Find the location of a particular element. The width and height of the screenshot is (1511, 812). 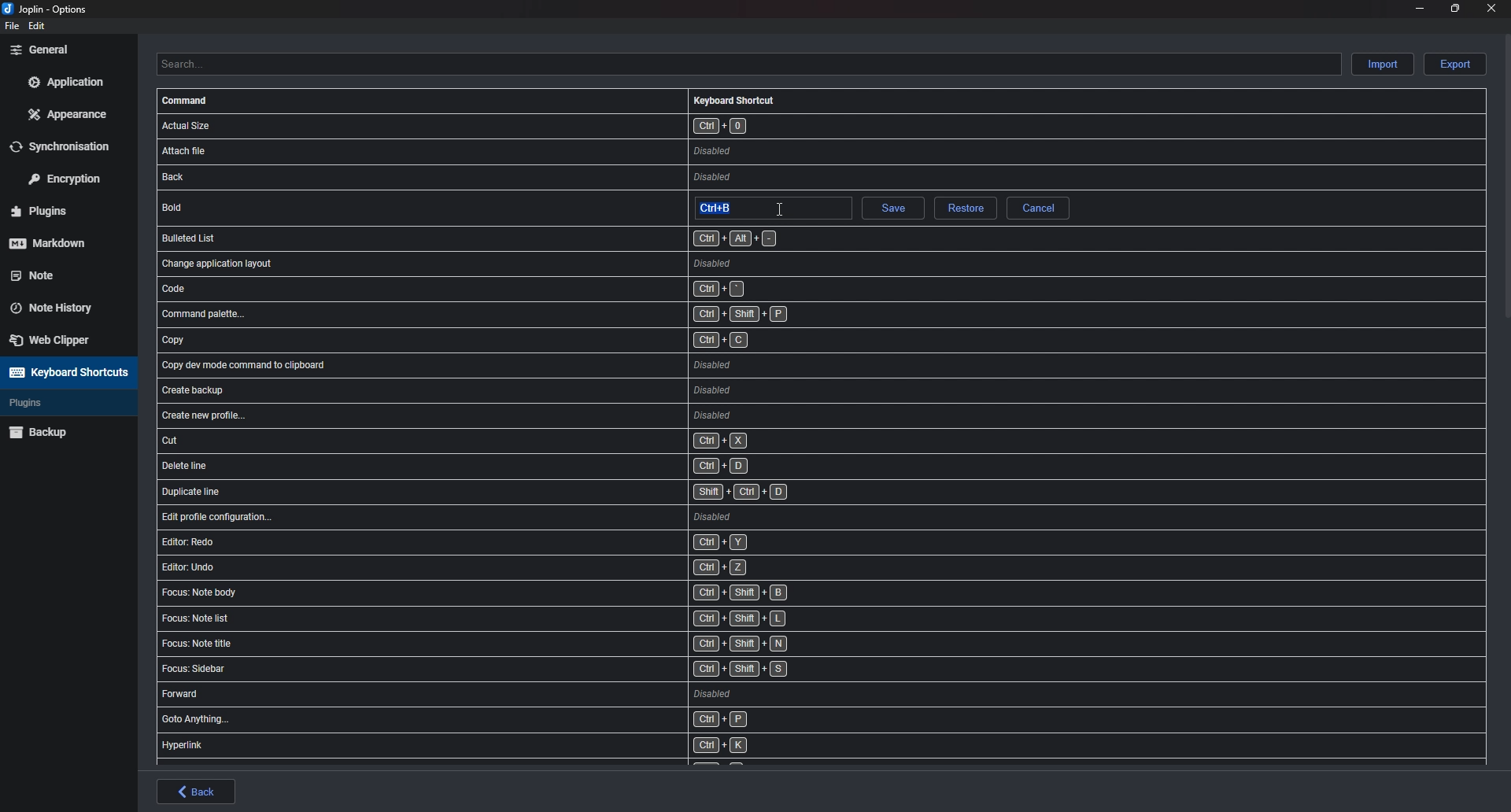

shortcut is located at coordinates (515, 646).